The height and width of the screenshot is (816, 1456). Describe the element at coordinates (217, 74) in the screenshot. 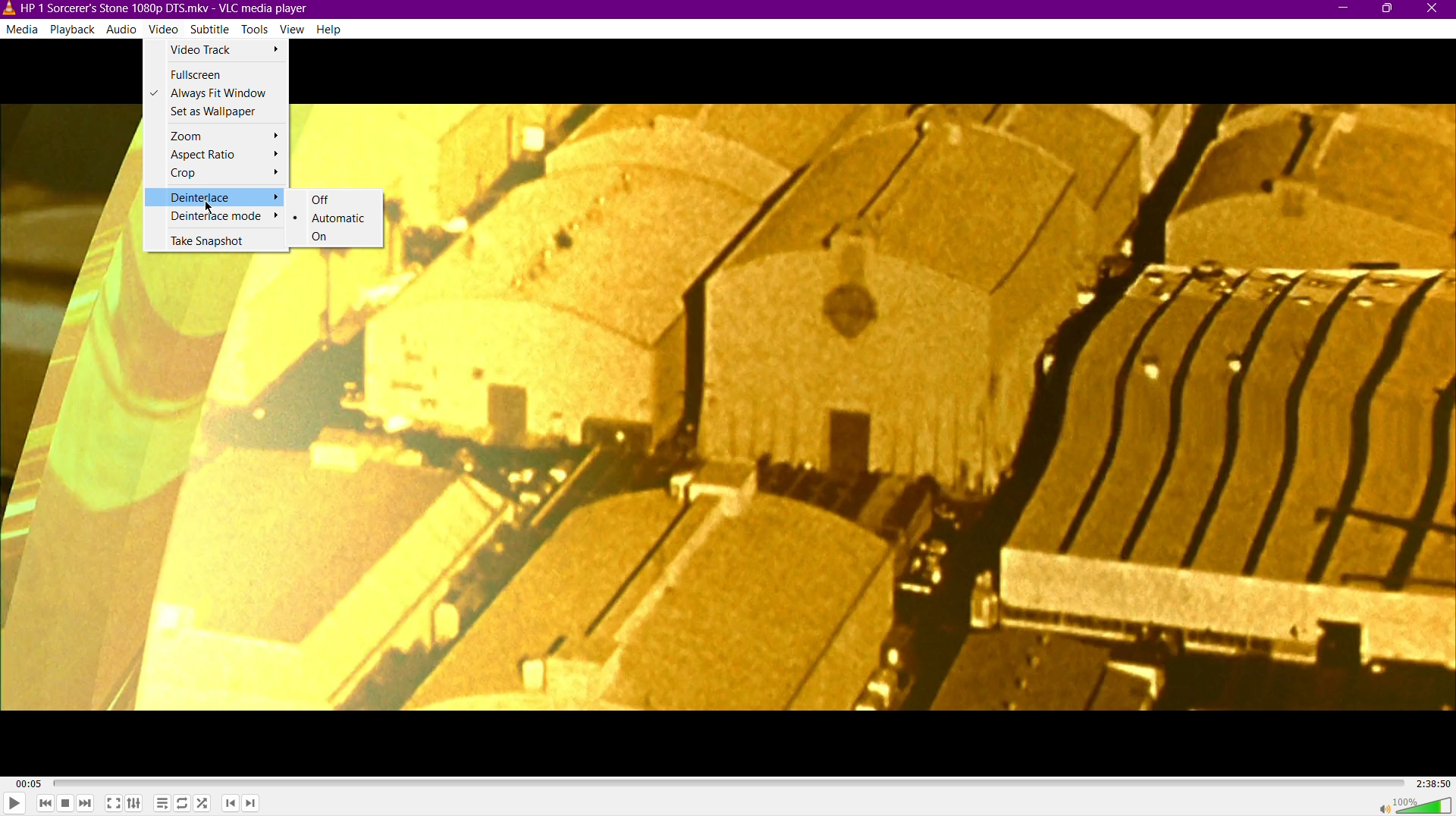

I see `Fullscreen` at that location.